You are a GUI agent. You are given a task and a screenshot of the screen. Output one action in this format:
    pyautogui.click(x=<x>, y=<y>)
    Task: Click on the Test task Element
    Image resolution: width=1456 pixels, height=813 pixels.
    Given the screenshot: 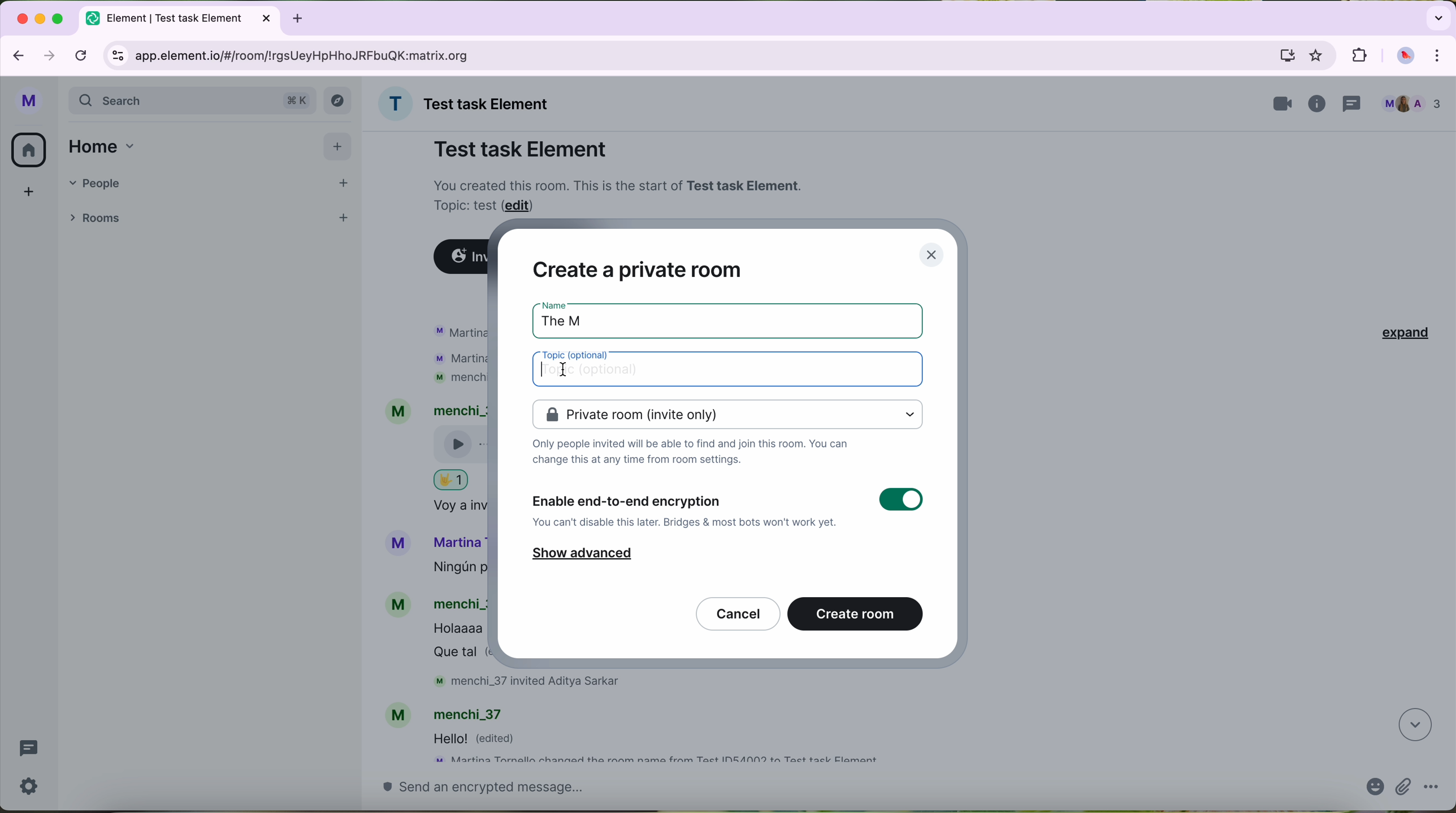 What is the action you would take?
    pyautogui.click(x=521, y=149)
    